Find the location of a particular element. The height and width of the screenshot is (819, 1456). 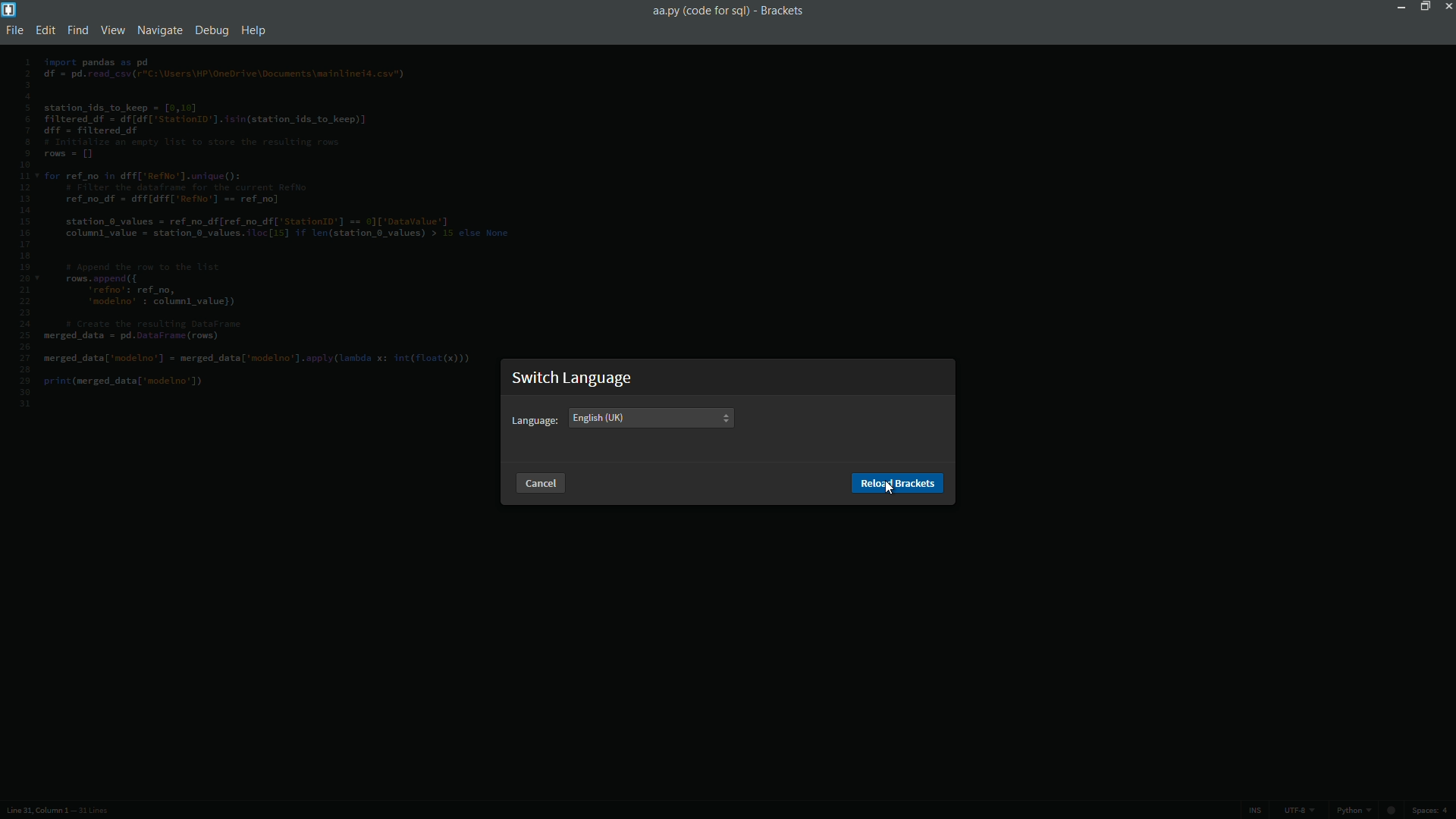

maximize is located at coordinates (1422, 6).